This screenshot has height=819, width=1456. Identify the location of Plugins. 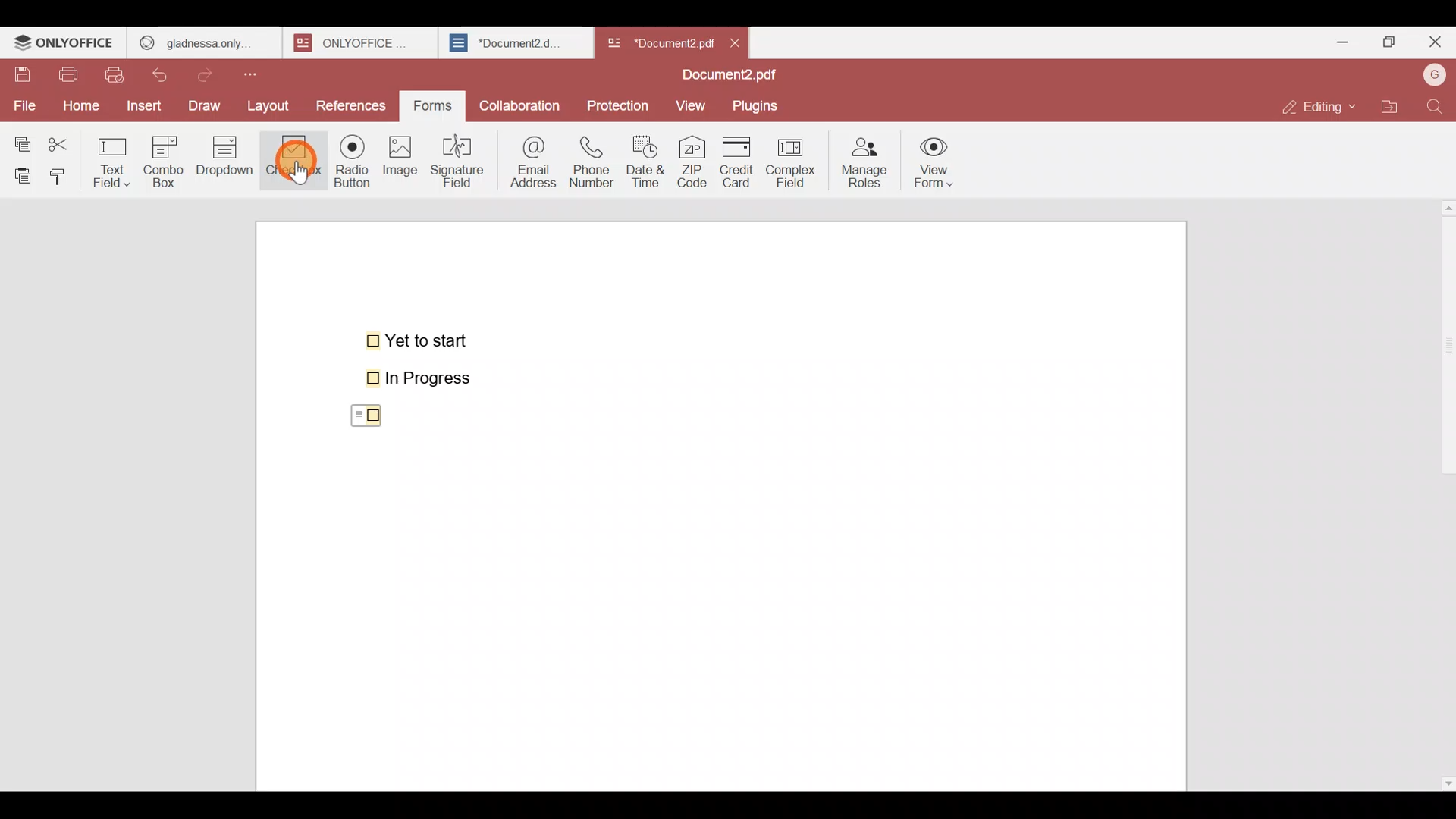
(761, 106).